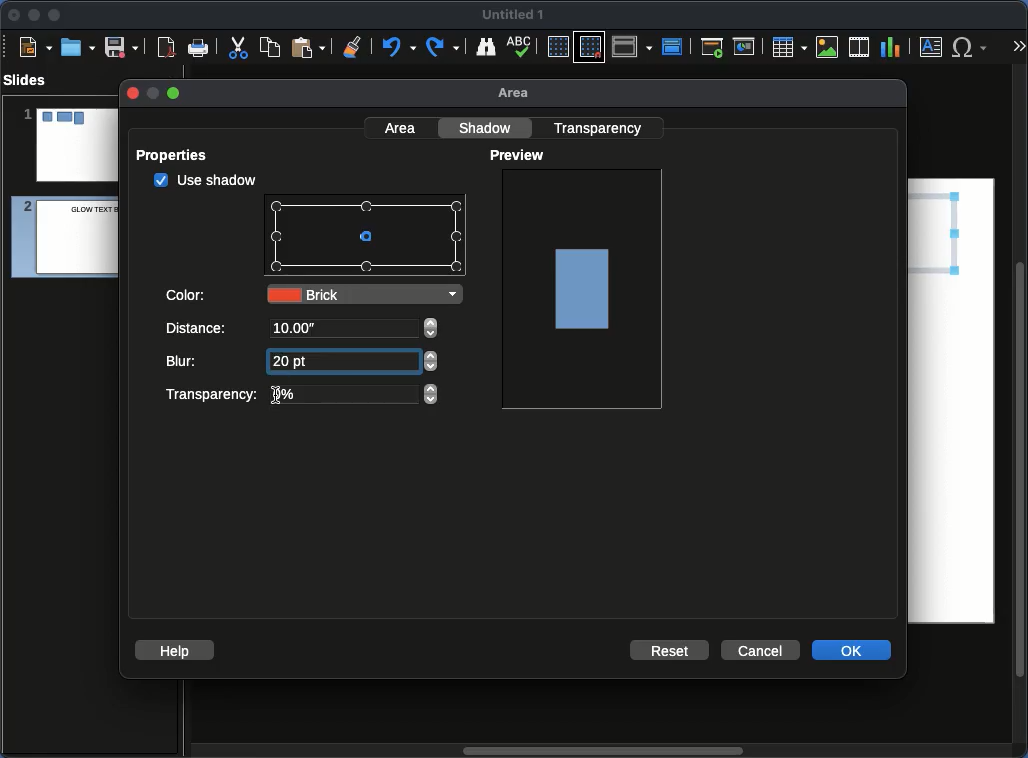 The image size is (1028, 758). What do you see at coordinates (199, 49) in the screenshot?
I see `Print` at bounding box center [199, 49].